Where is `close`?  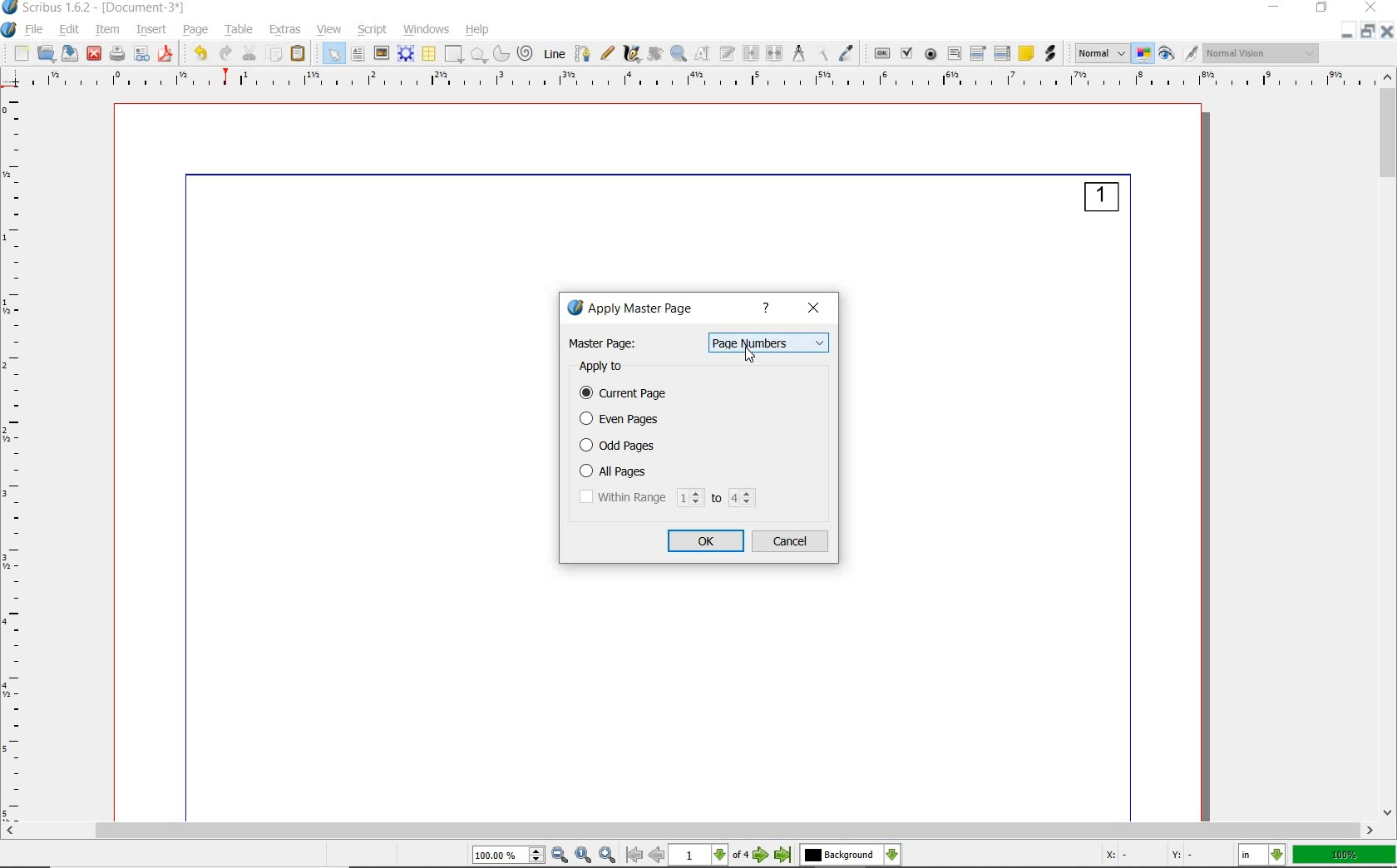
close is located at coordinates (814, 309).